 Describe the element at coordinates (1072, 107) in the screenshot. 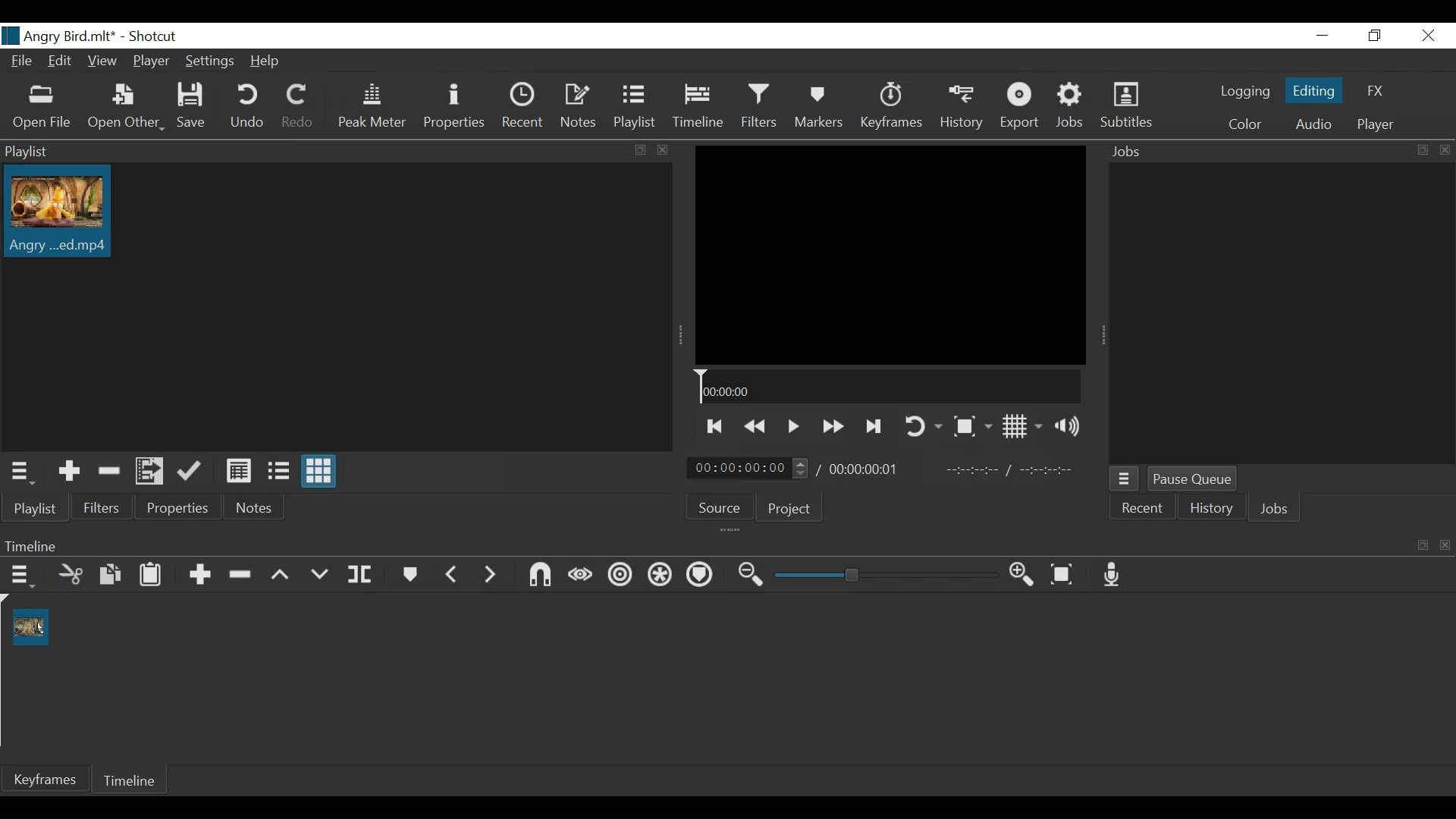

I see `Jobs` at that location.